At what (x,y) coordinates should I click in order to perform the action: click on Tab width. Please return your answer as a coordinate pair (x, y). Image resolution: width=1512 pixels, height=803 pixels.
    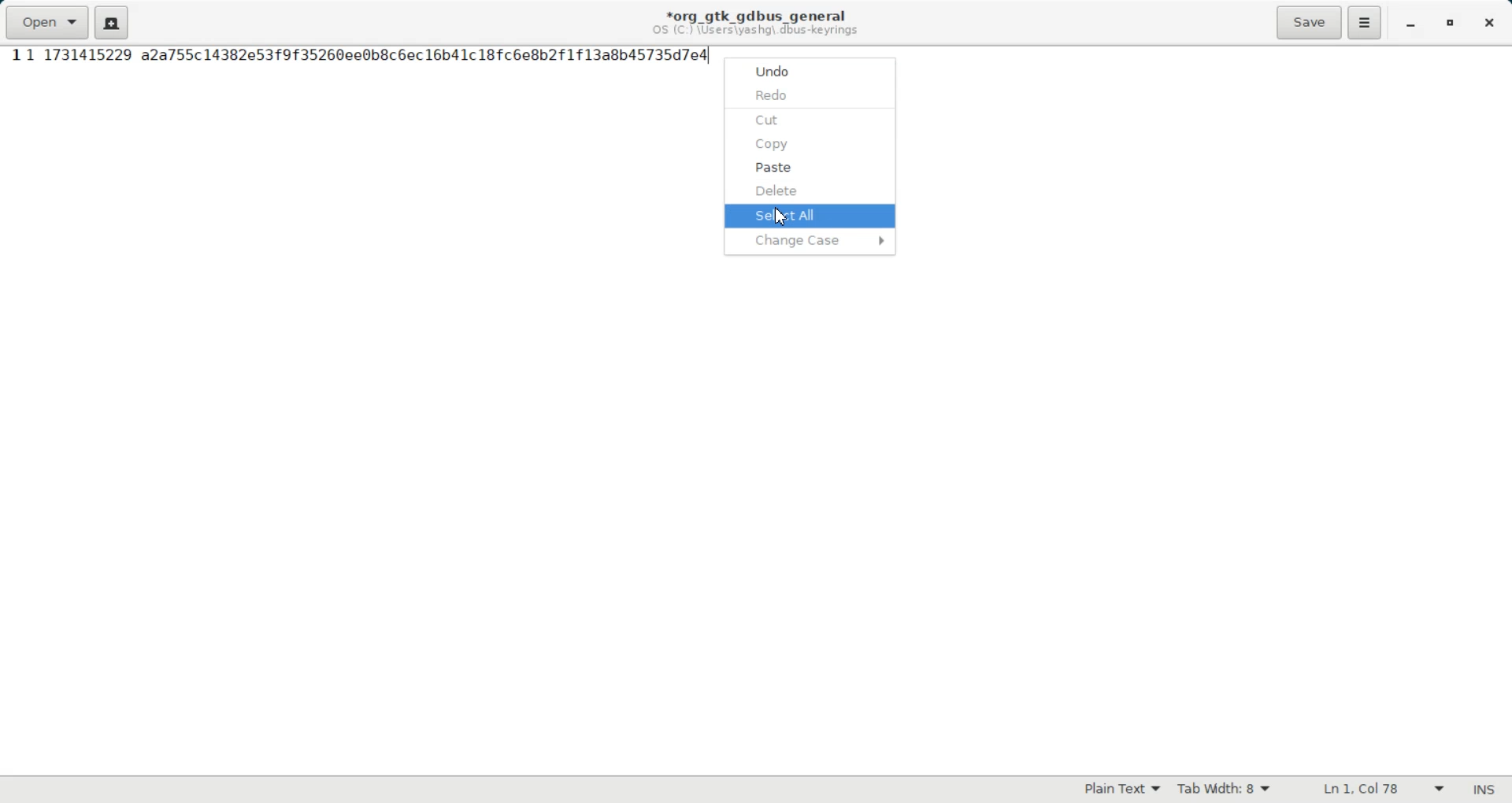
    Looking at the image, I should click on (1225, 790).